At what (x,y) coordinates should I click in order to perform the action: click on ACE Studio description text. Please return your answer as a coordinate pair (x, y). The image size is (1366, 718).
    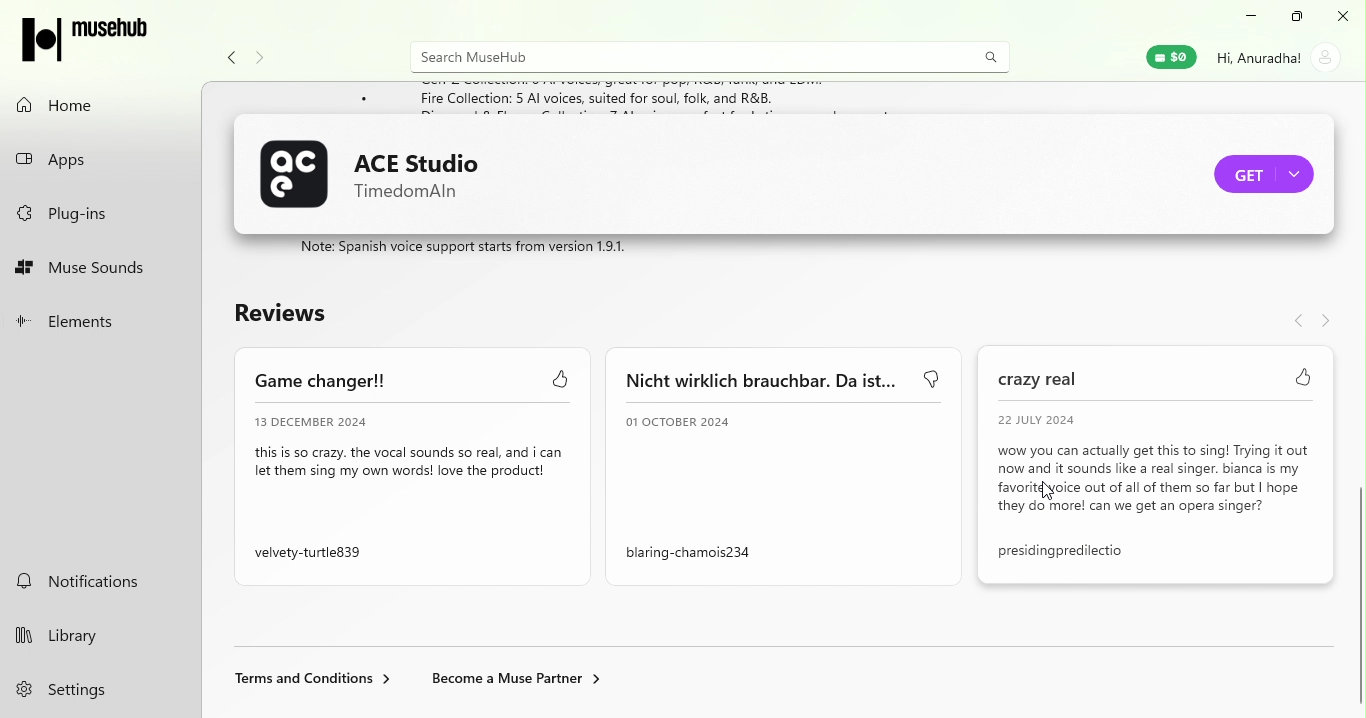
    Looking at the image, I should click on (471, 249).